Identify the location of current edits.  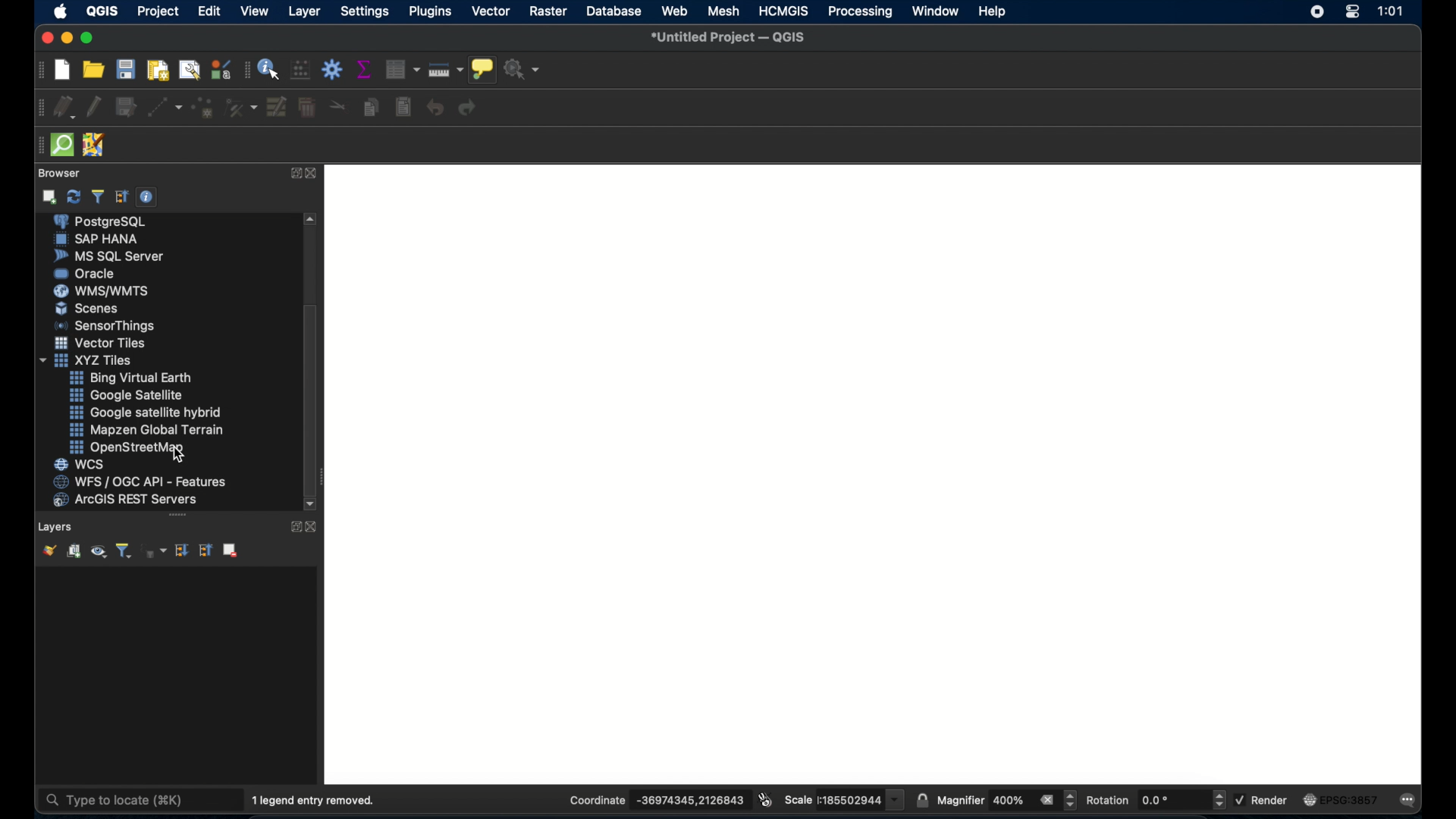
(64, 108).